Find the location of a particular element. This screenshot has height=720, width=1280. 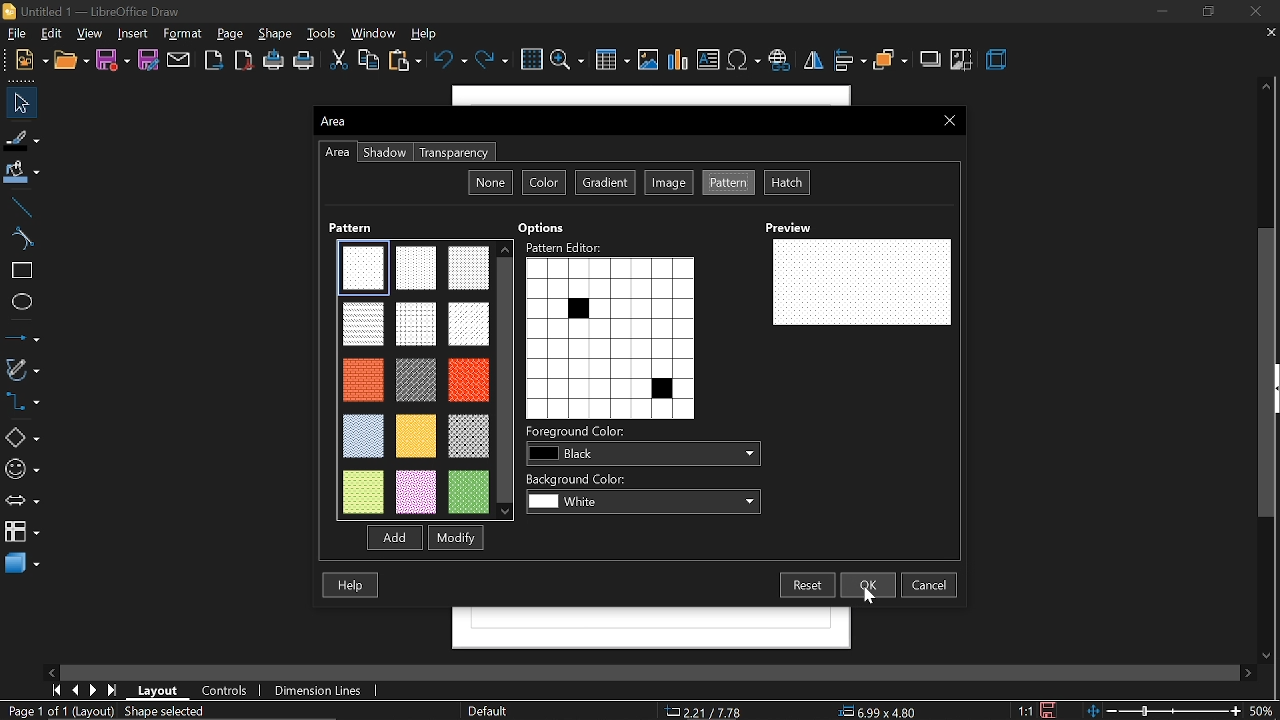

shadow is located at coordinates (928, 58).